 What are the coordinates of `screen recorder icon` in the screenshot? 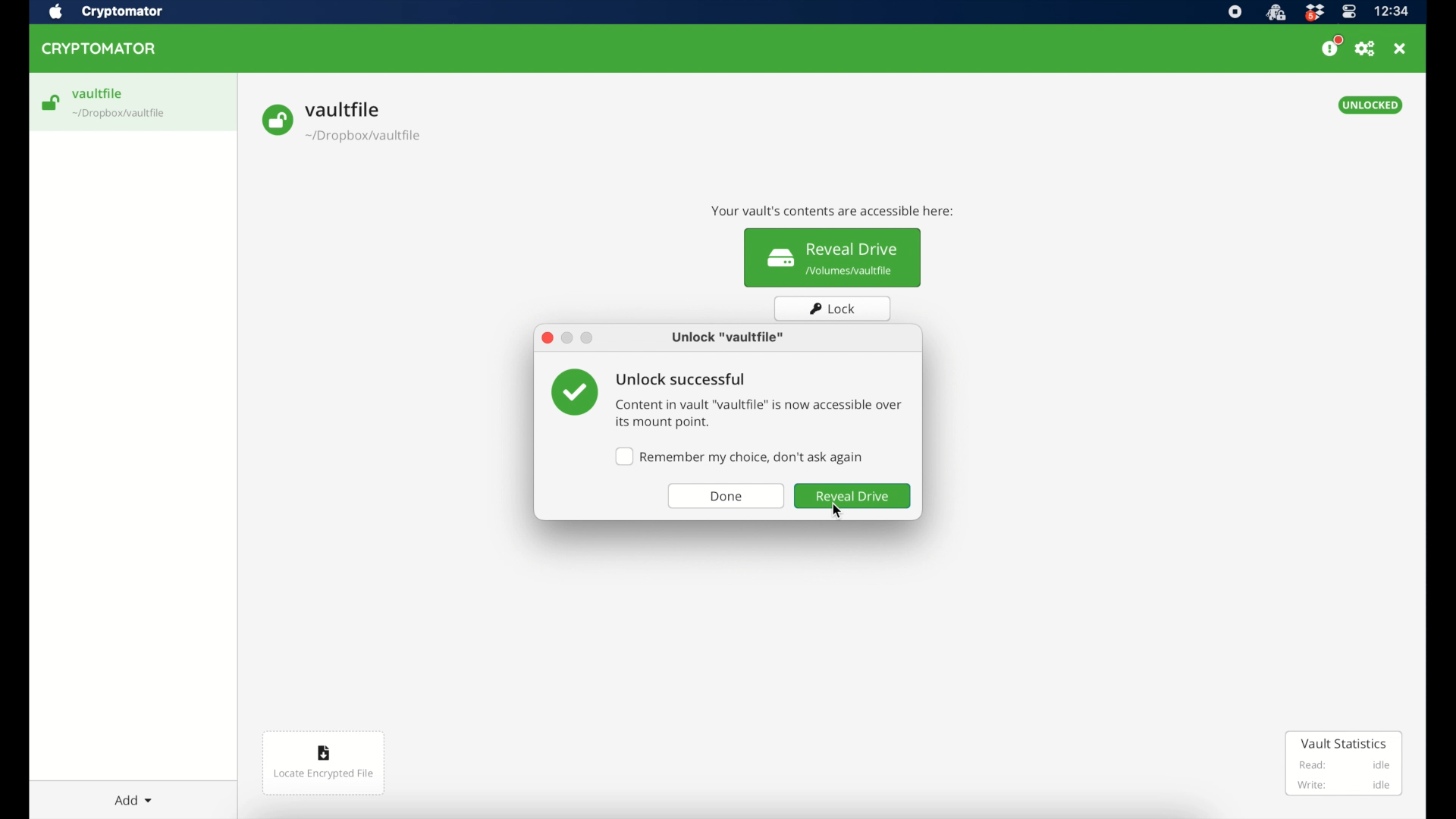 It's located at (1236, 11).